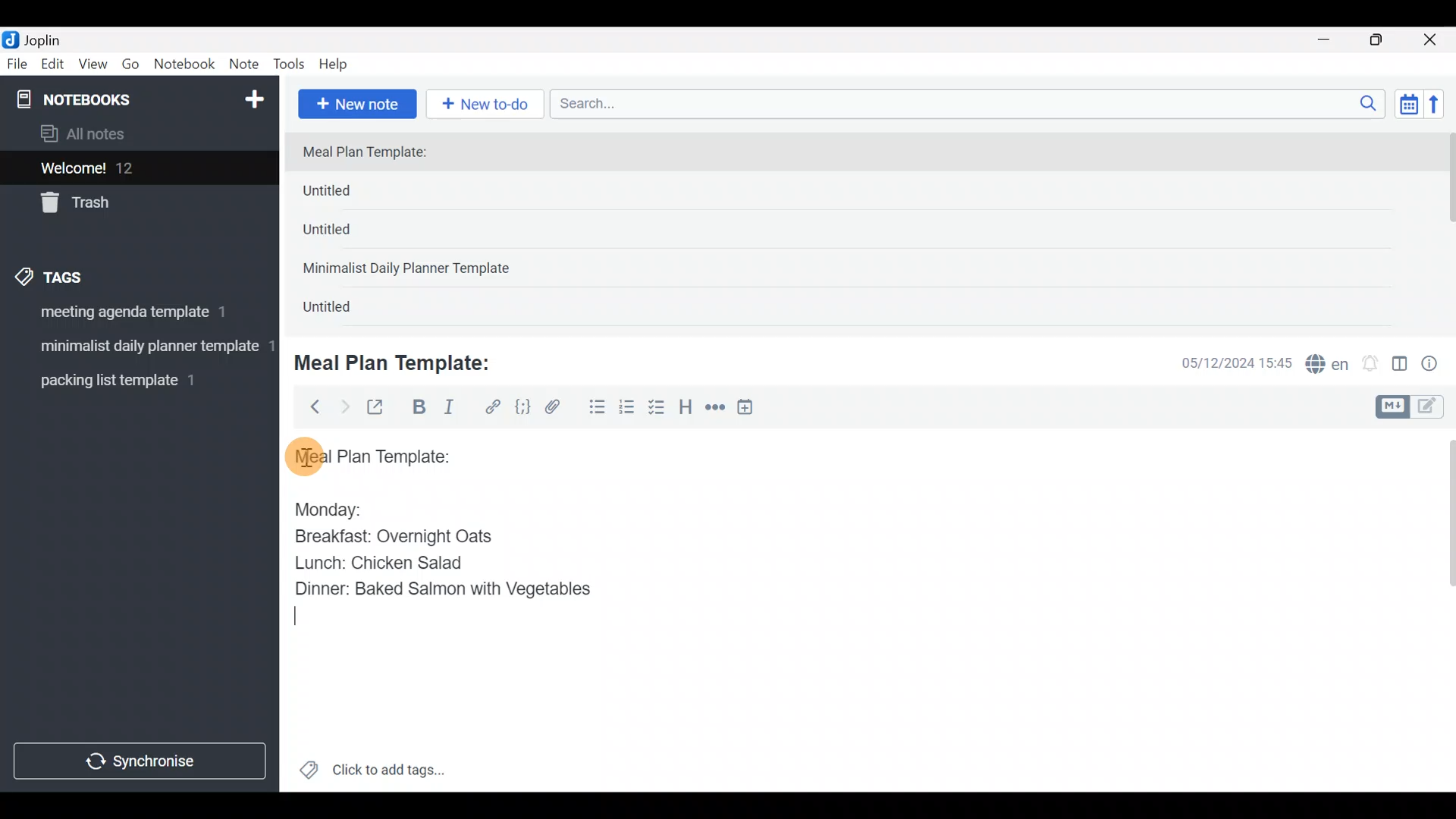 The height and width of the screenshot is (819, 1456). I want to click on cursor, so click(303, 456).